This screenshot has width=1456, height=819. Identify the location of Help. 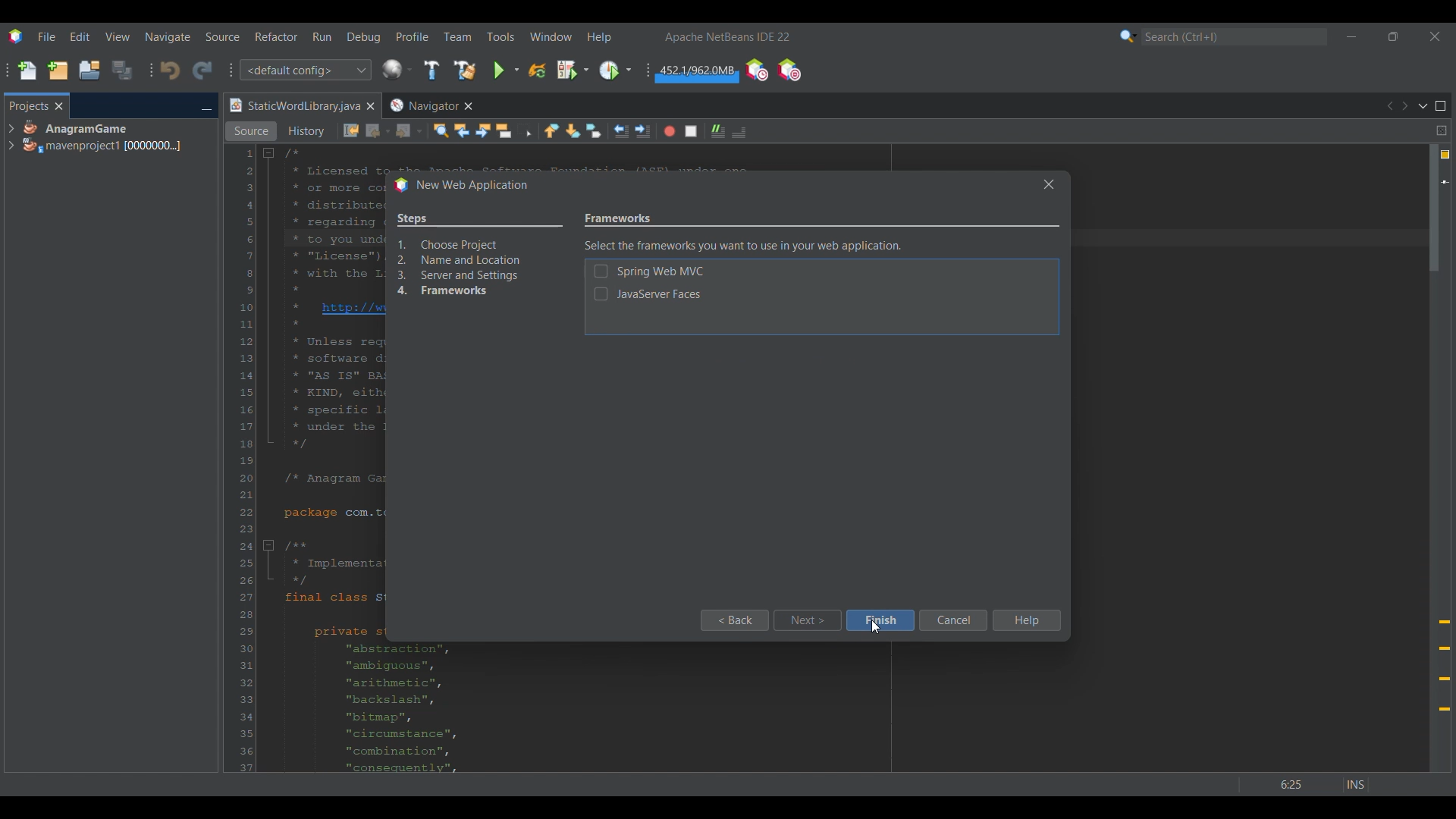
(1025, 620).